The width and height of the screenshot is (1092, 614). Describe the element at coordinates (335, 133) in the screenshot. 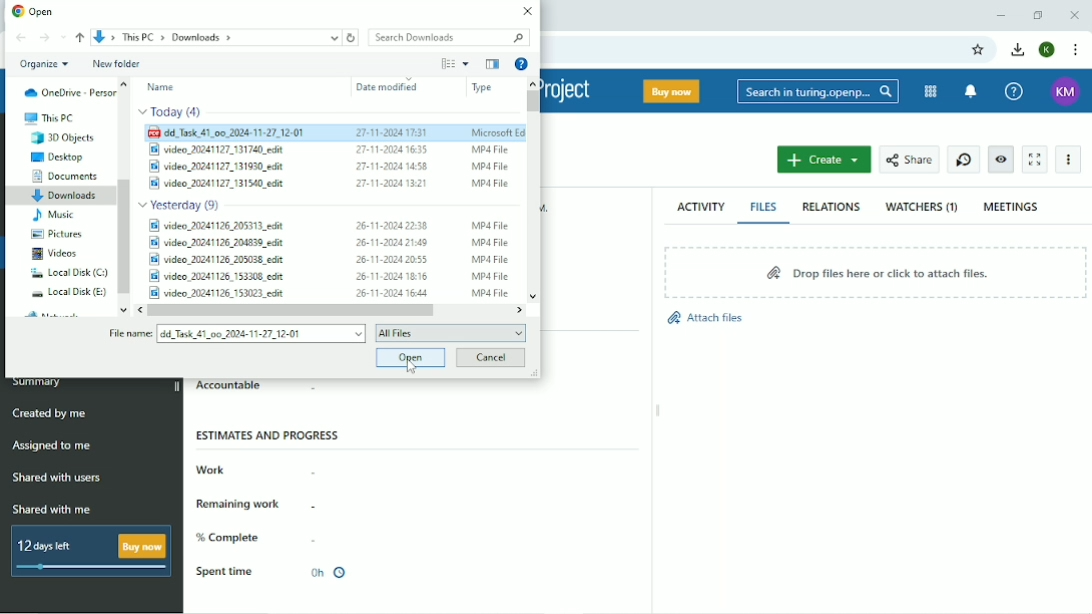

I see `pdf File` at that location.